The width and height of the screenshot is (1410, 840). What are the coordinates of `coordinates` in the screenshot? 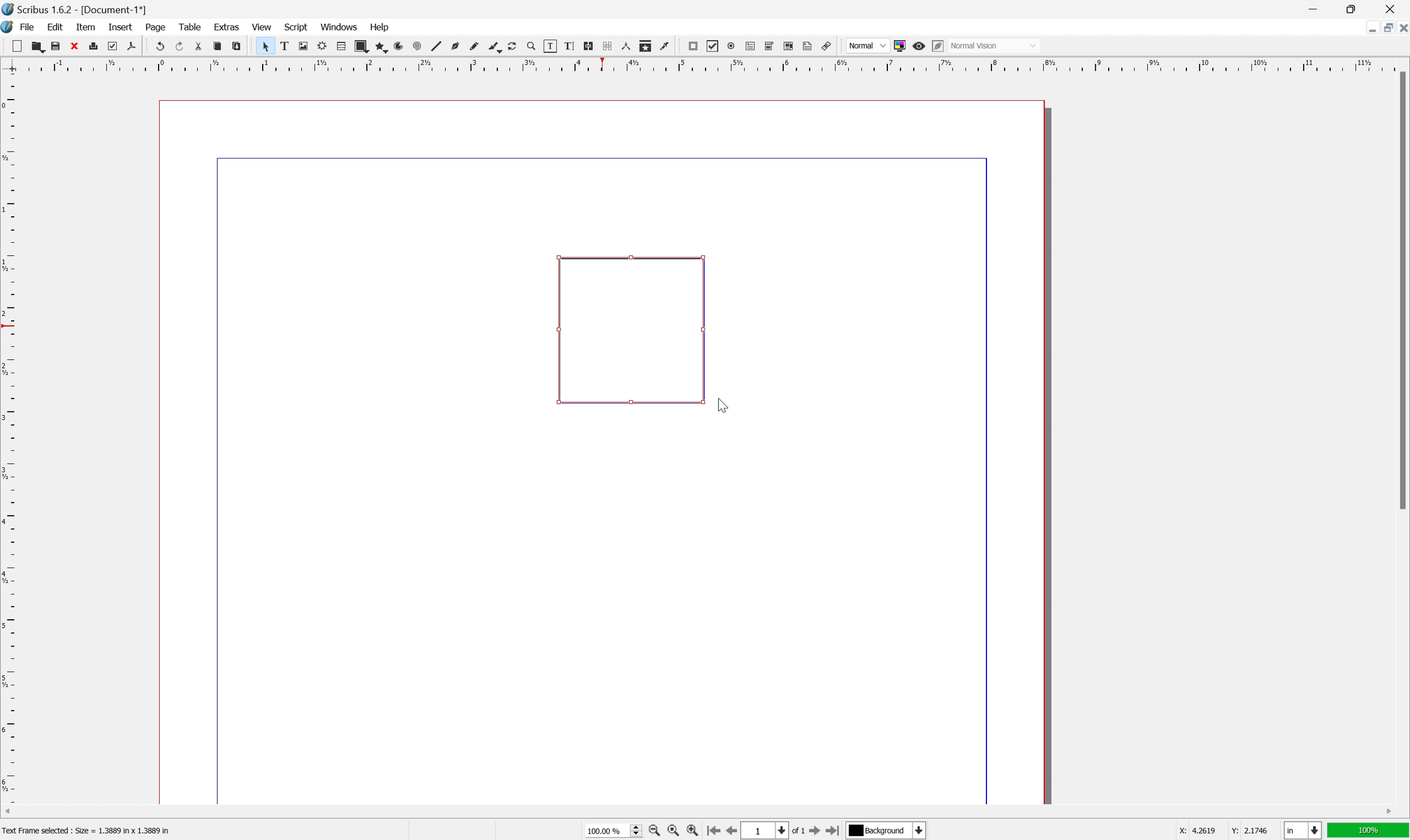 It's located at (1225, 831).